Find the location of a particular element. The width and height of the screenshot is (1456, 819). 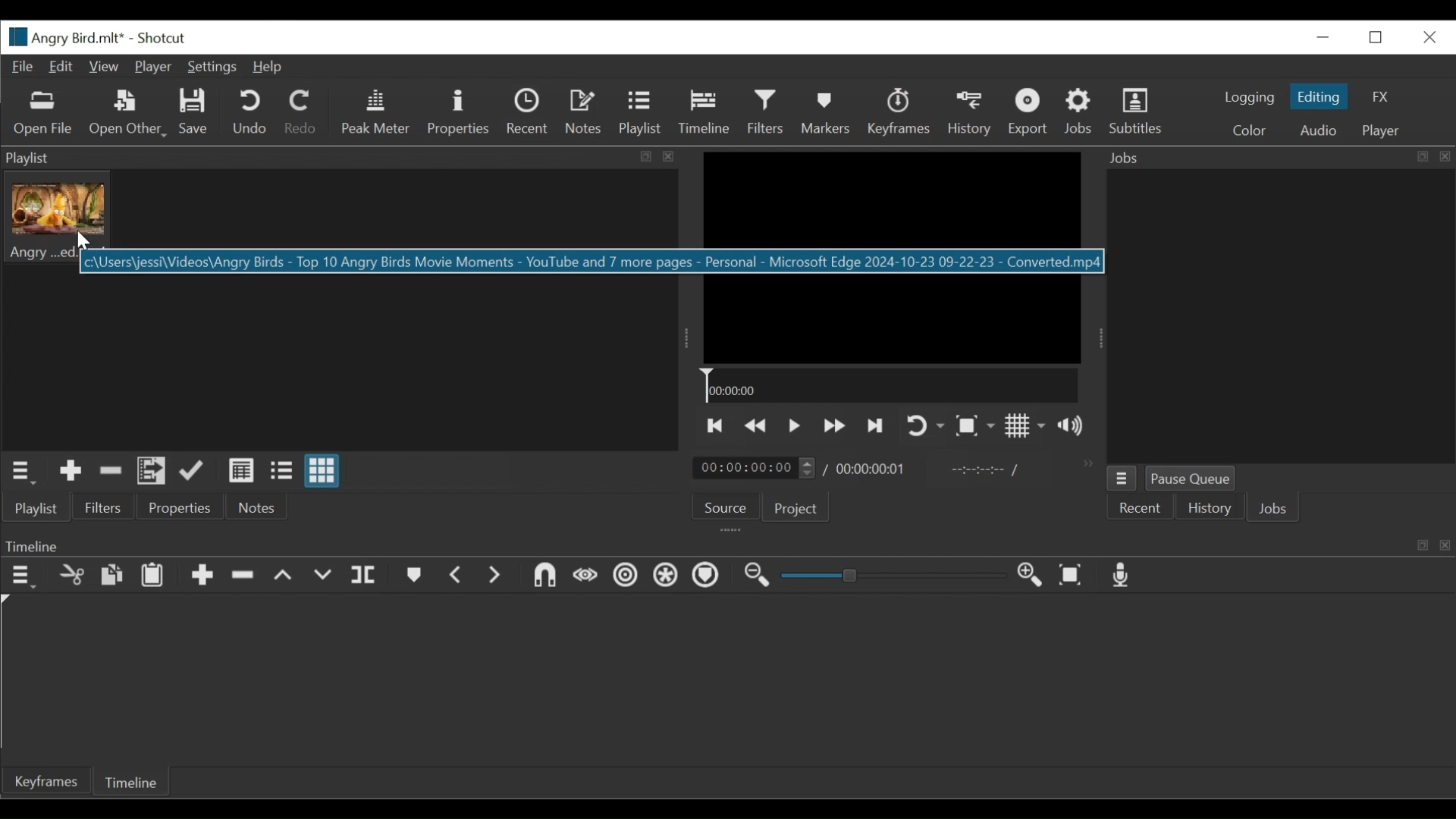

Save is located at coordinates (196, 111).